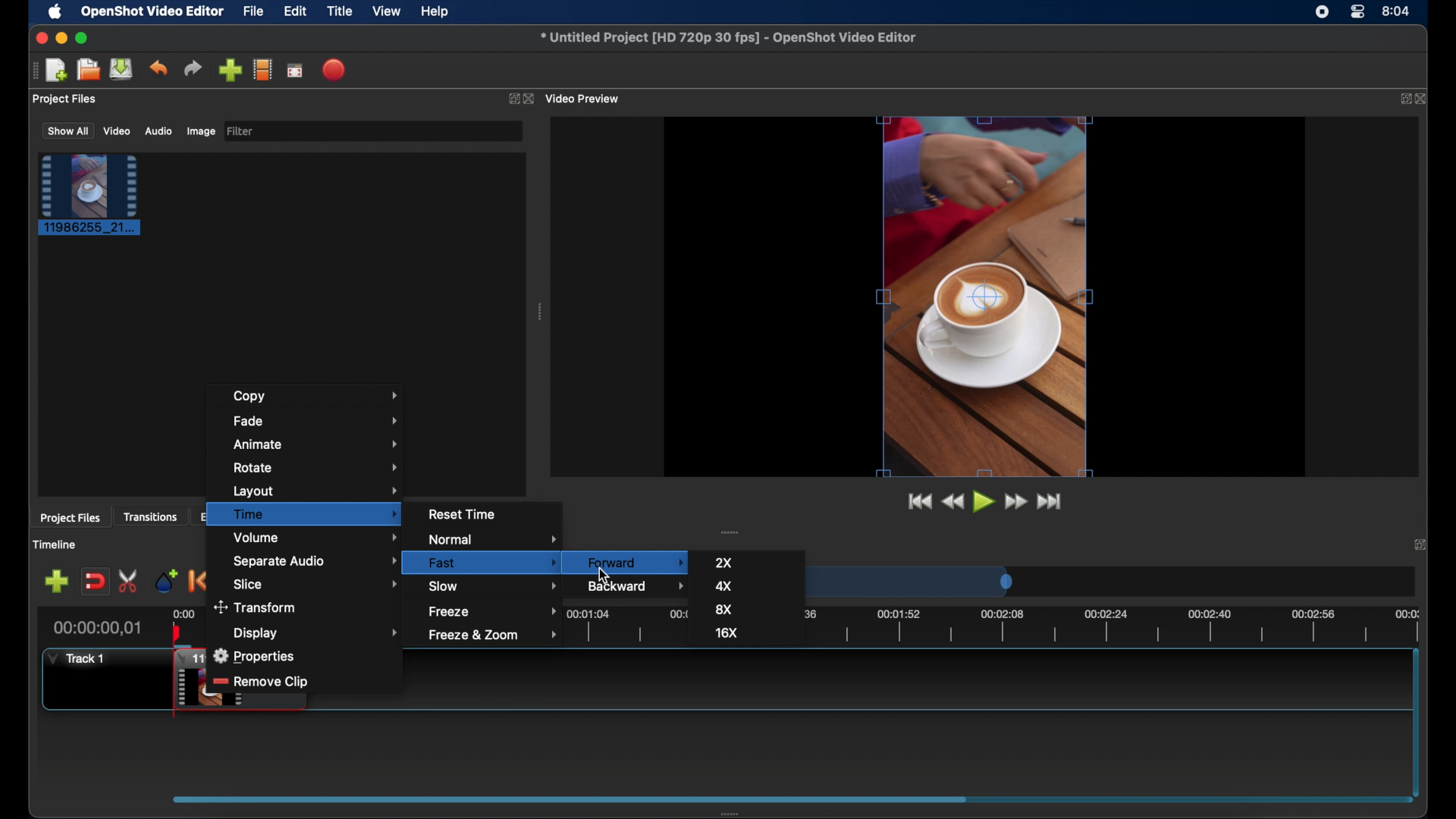 This screenshot has width=1456, height=819. I want to click on project files, so click(71, 519).